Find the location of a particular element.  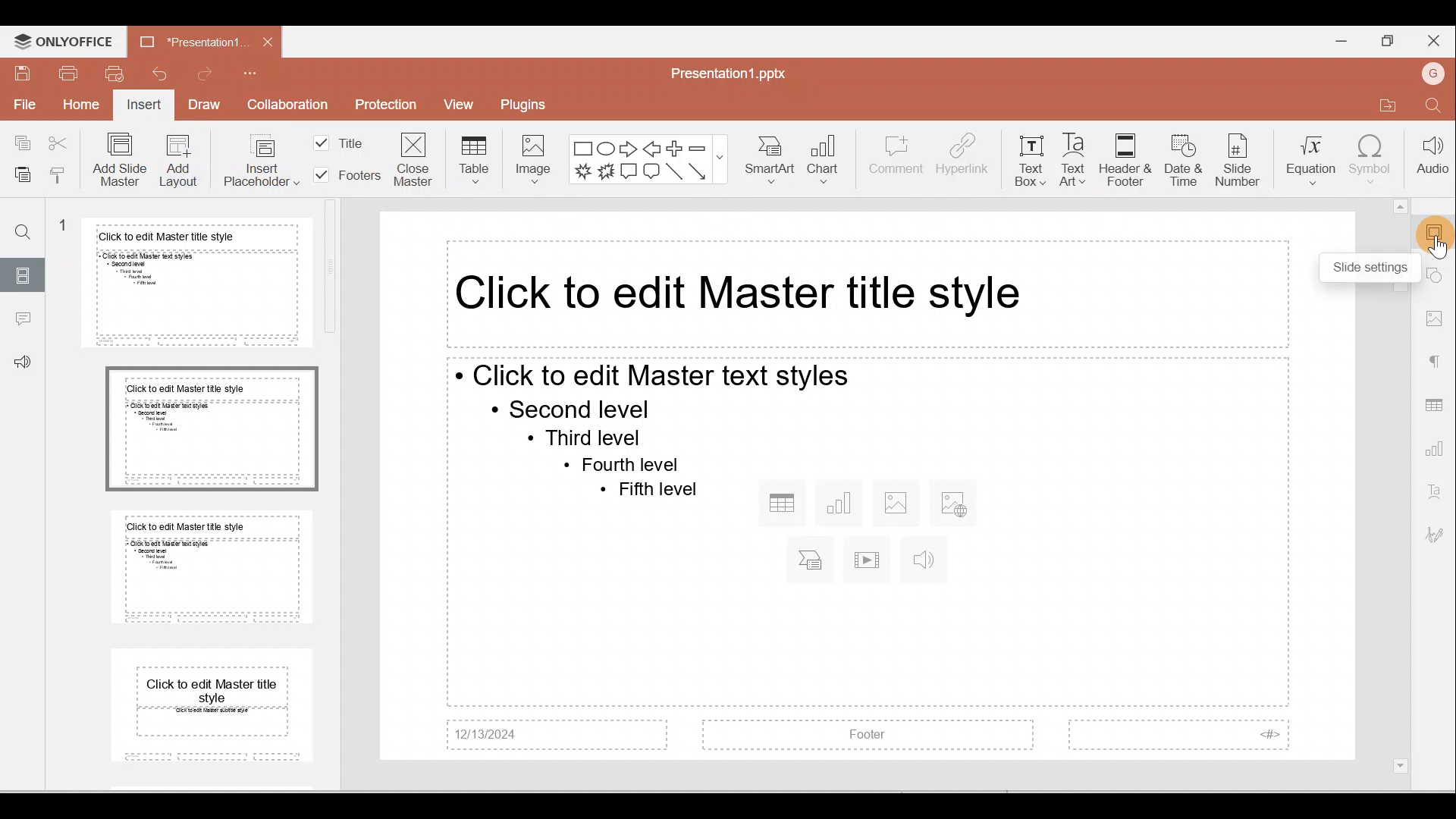

Image settings is located at coordinates (1438, 318).